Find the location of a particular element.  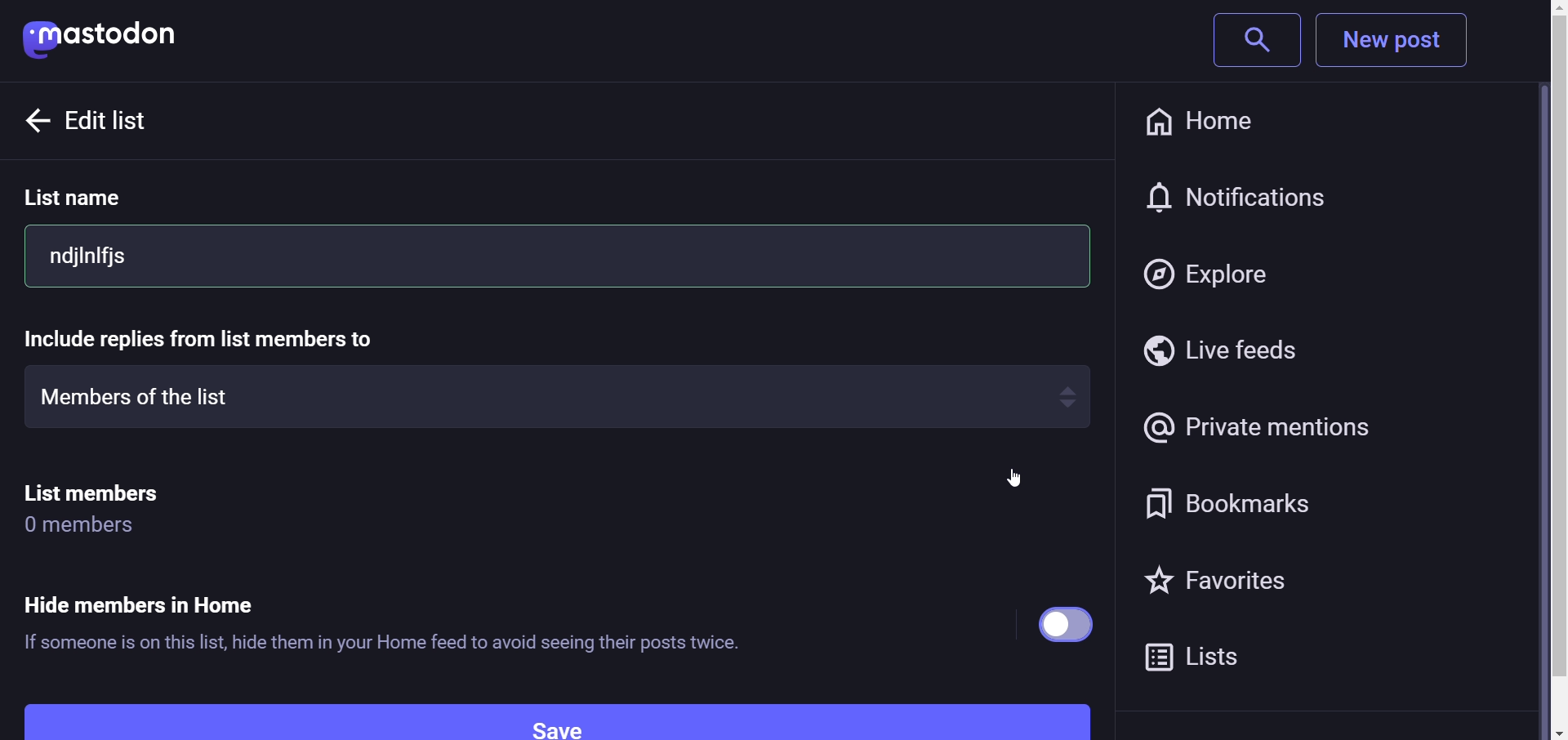

include replies from list member to is located at coordinates (215, 340).